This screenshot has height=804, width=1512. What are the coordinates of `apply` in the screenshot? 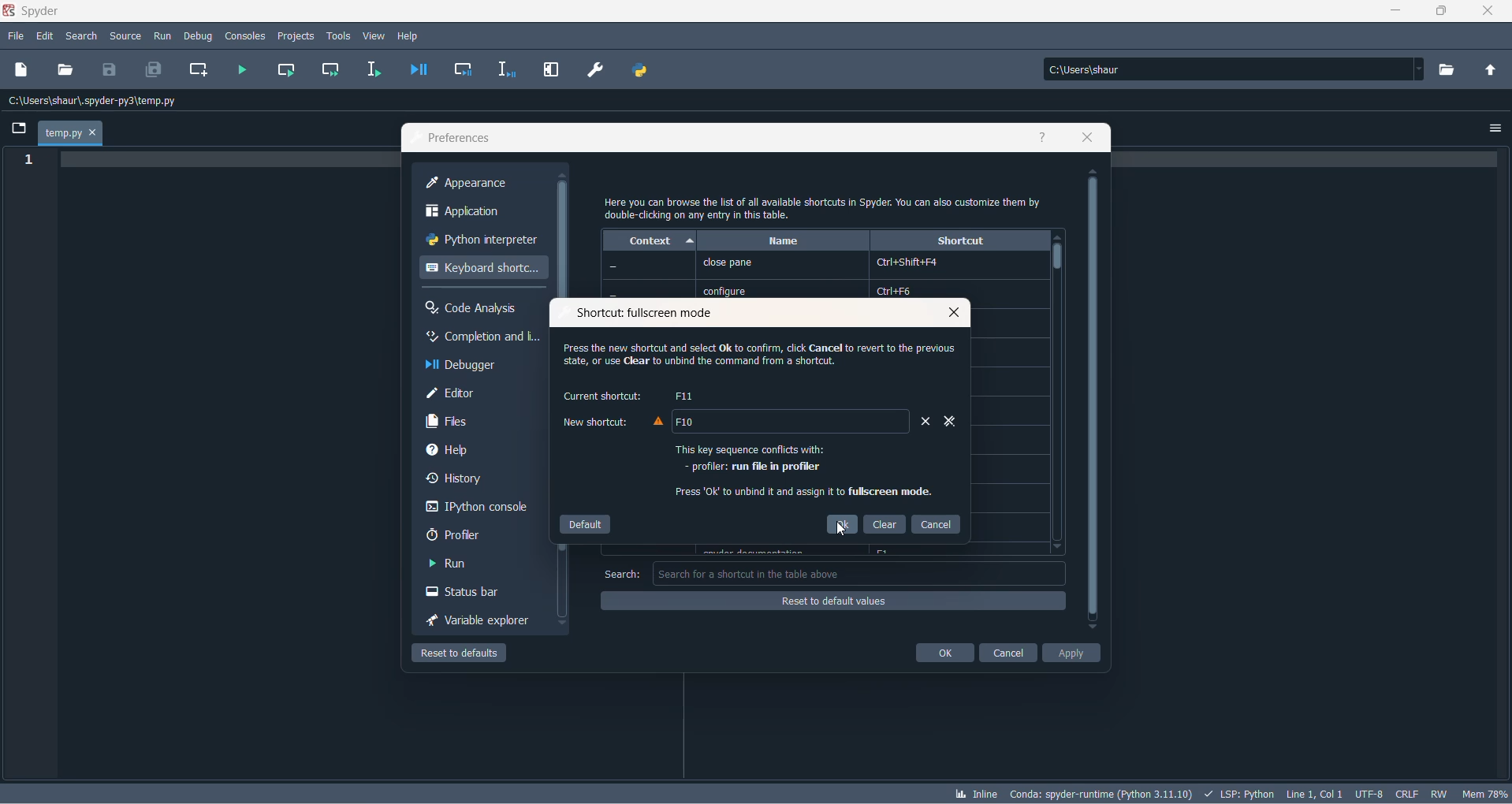 It's located at (1072, 655).